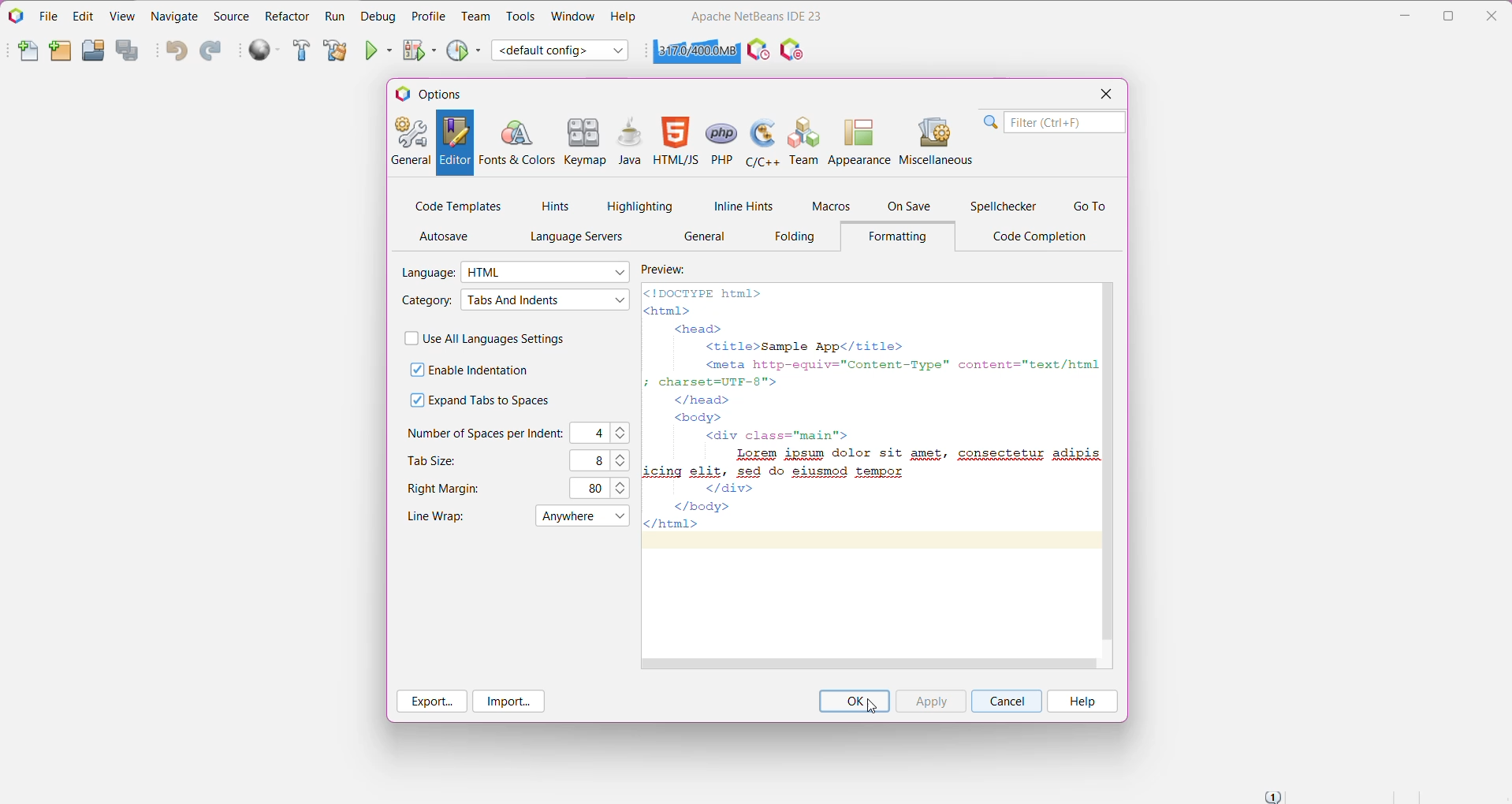 The height and width of the screenshot is (804, 1512). Describe the element at coordinates (545, 300) in the screenshot. I see `Select required Category` at that location.